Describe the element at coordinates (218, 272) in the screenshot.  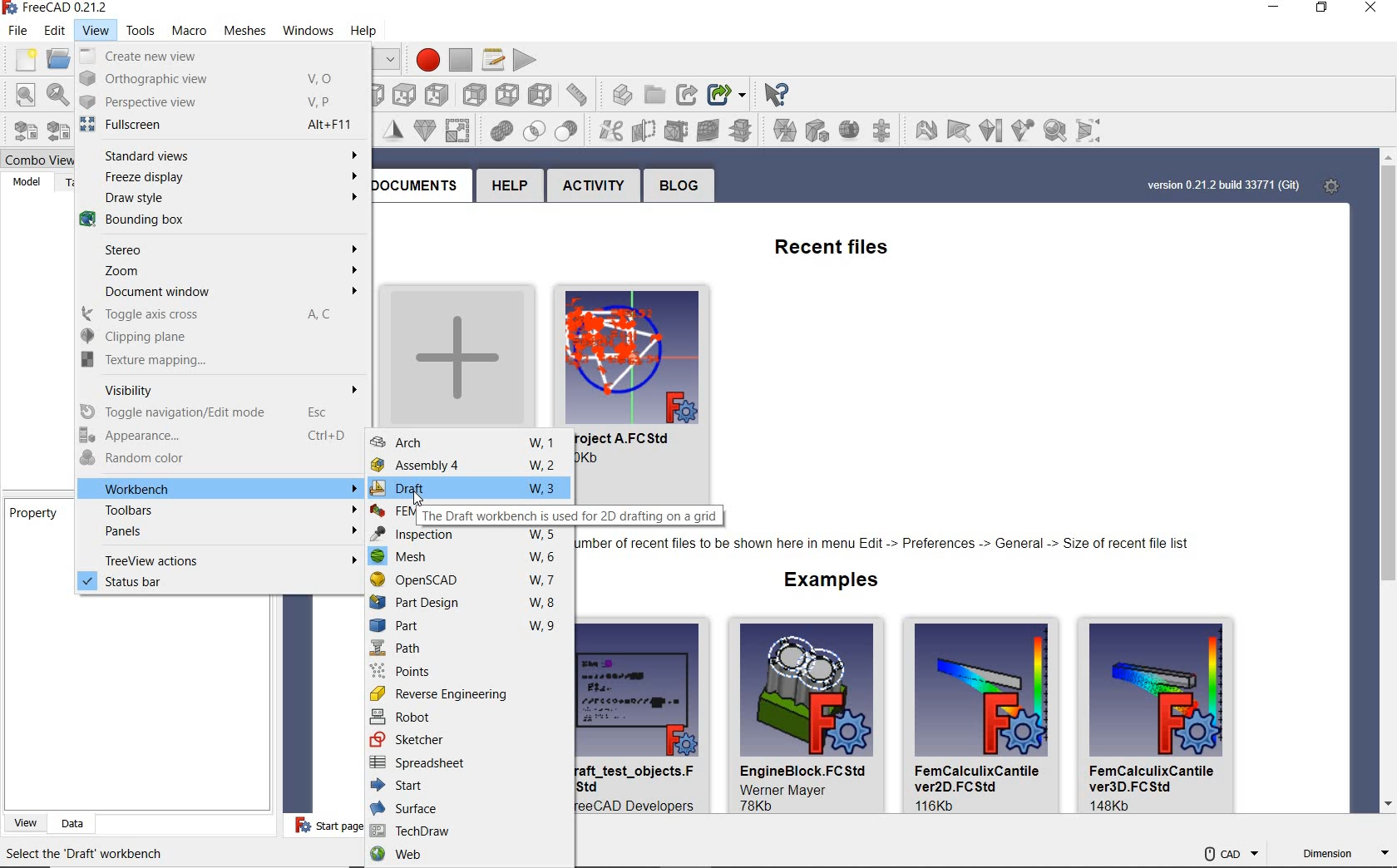
I see `zoom` at that location.